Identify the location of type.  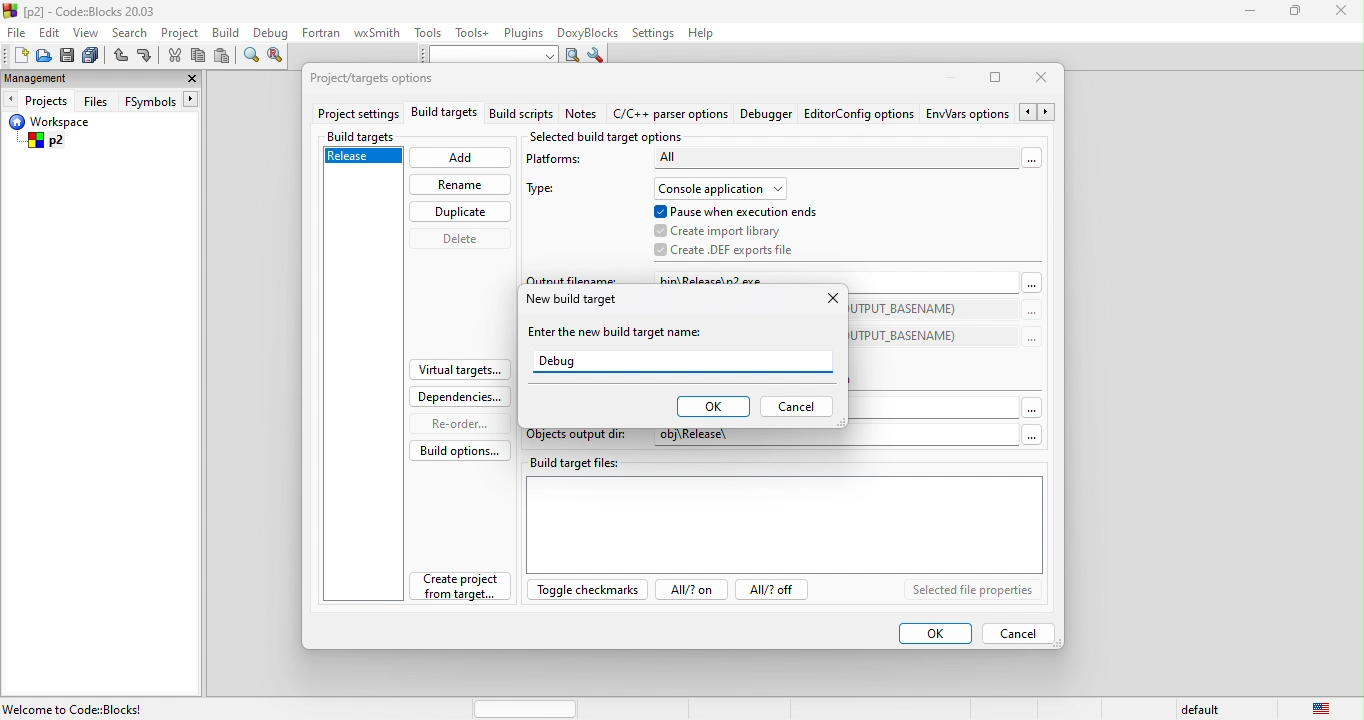
(550, 190).